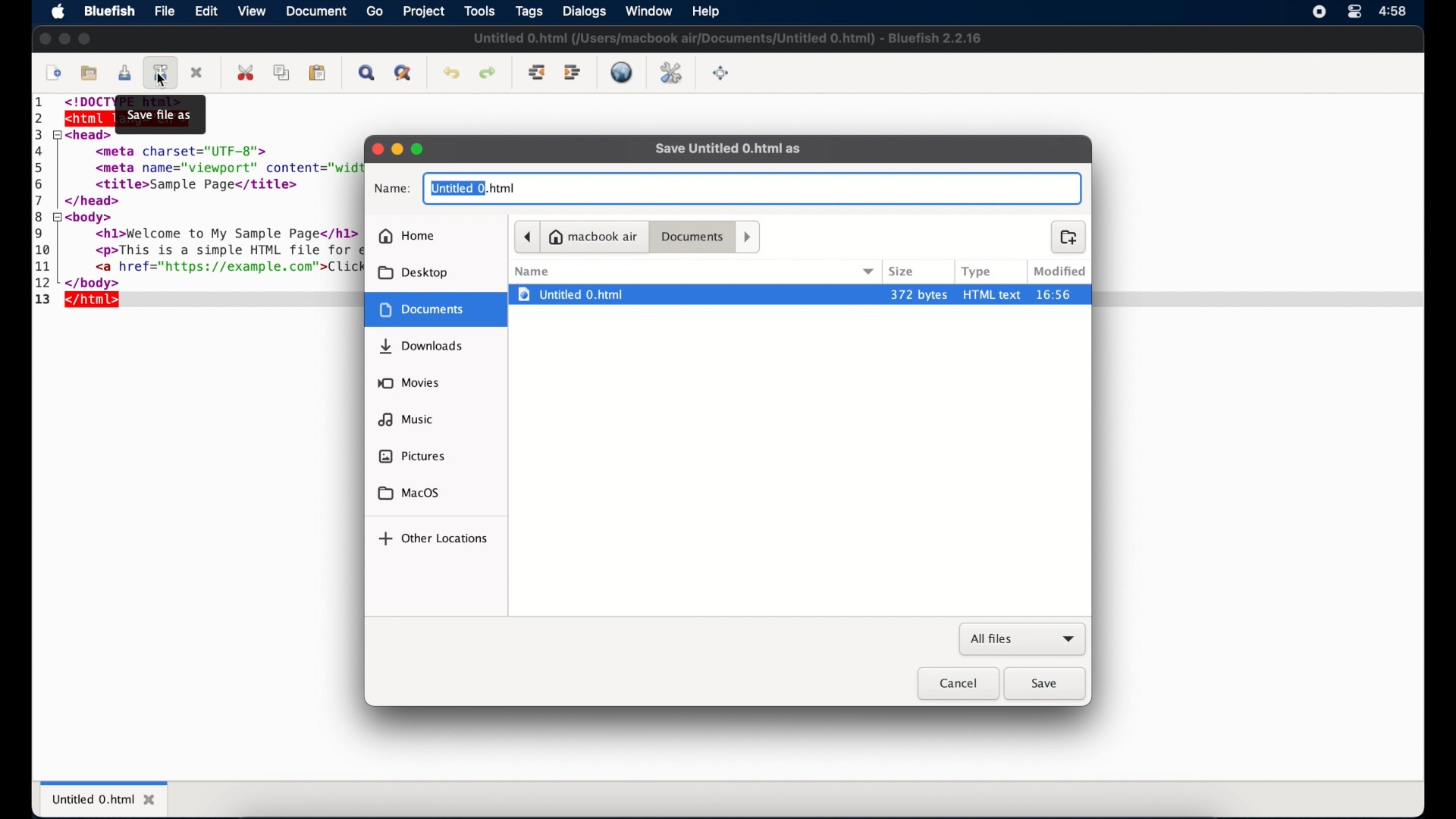 This screenshot has width=1456, height=819. I want to click on name:, so click(392, 190).